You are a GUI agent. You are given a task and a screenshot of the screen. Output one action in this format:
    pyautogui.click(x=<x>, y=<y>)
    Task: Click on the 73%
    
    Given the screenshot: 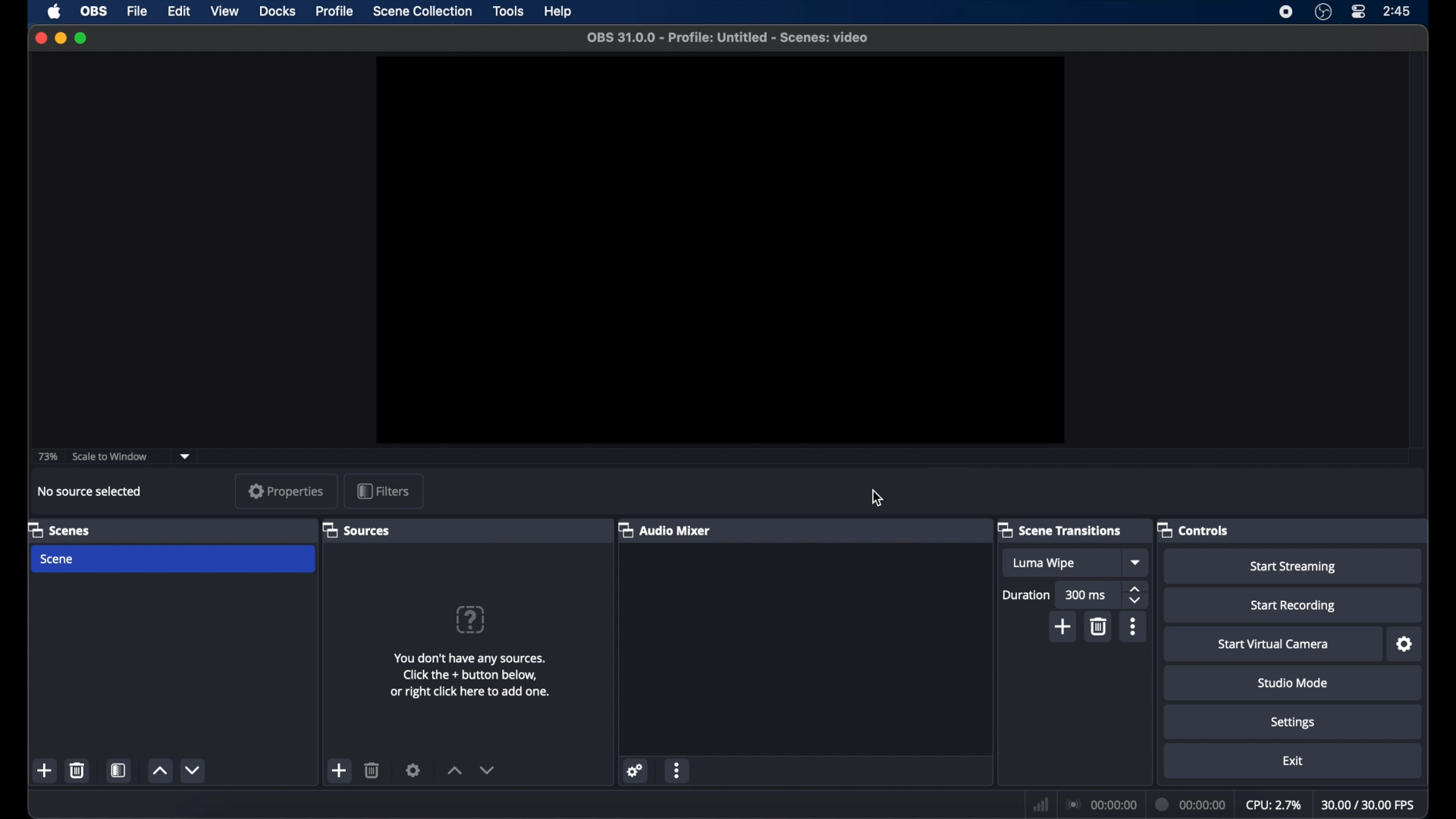 What is the action you would take?
    pyautogui.click(x=46, y=457)
    